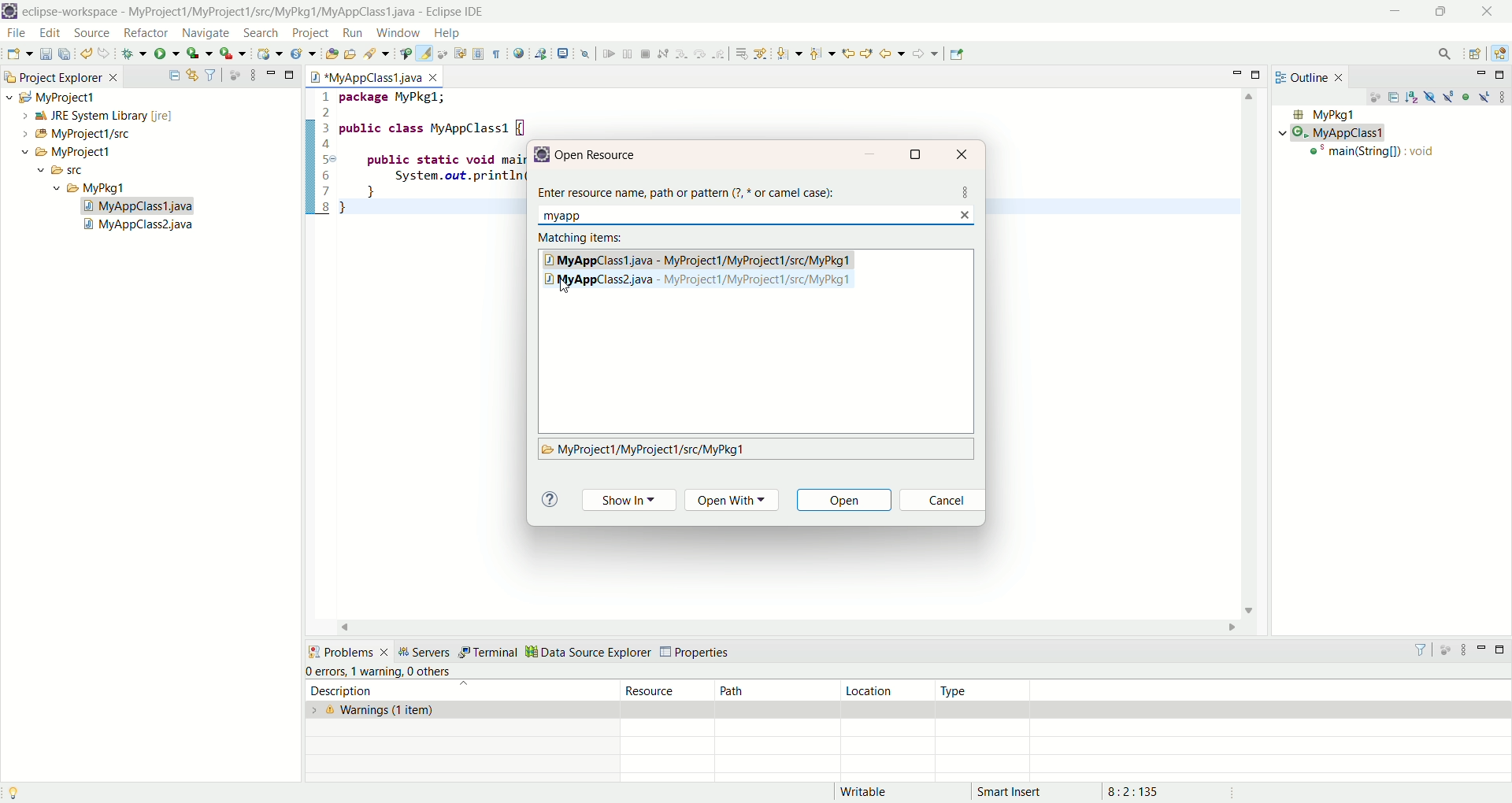  Describe the element at coordinates (867, 52) in the screenshot. I see `next edit location` at that location.